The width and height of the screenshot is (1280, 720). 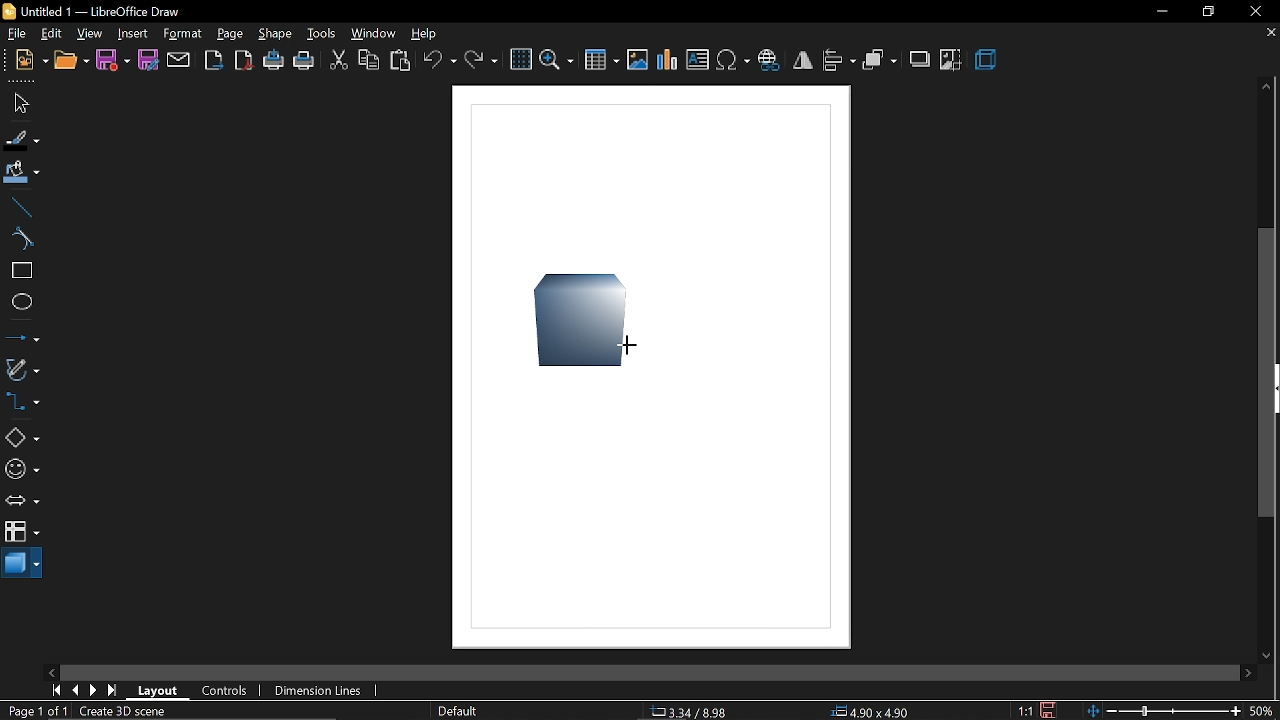 What do you see at coordinates (987, 60) in the screenshot?
I see `3d effect` at bounding box center [987, 60].